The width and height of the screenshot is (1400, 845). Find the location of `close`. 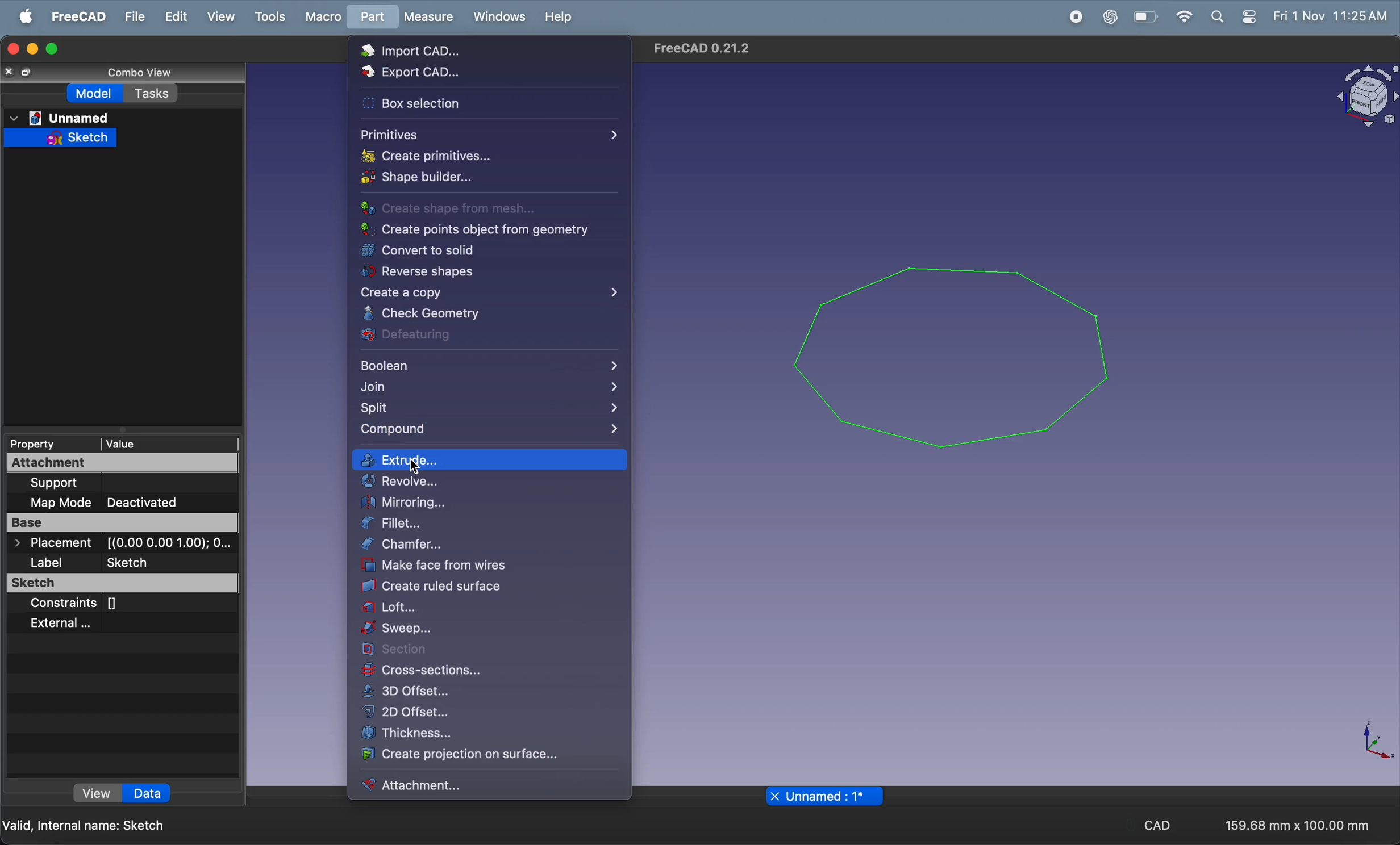

close is located at coordinates (10, 74).